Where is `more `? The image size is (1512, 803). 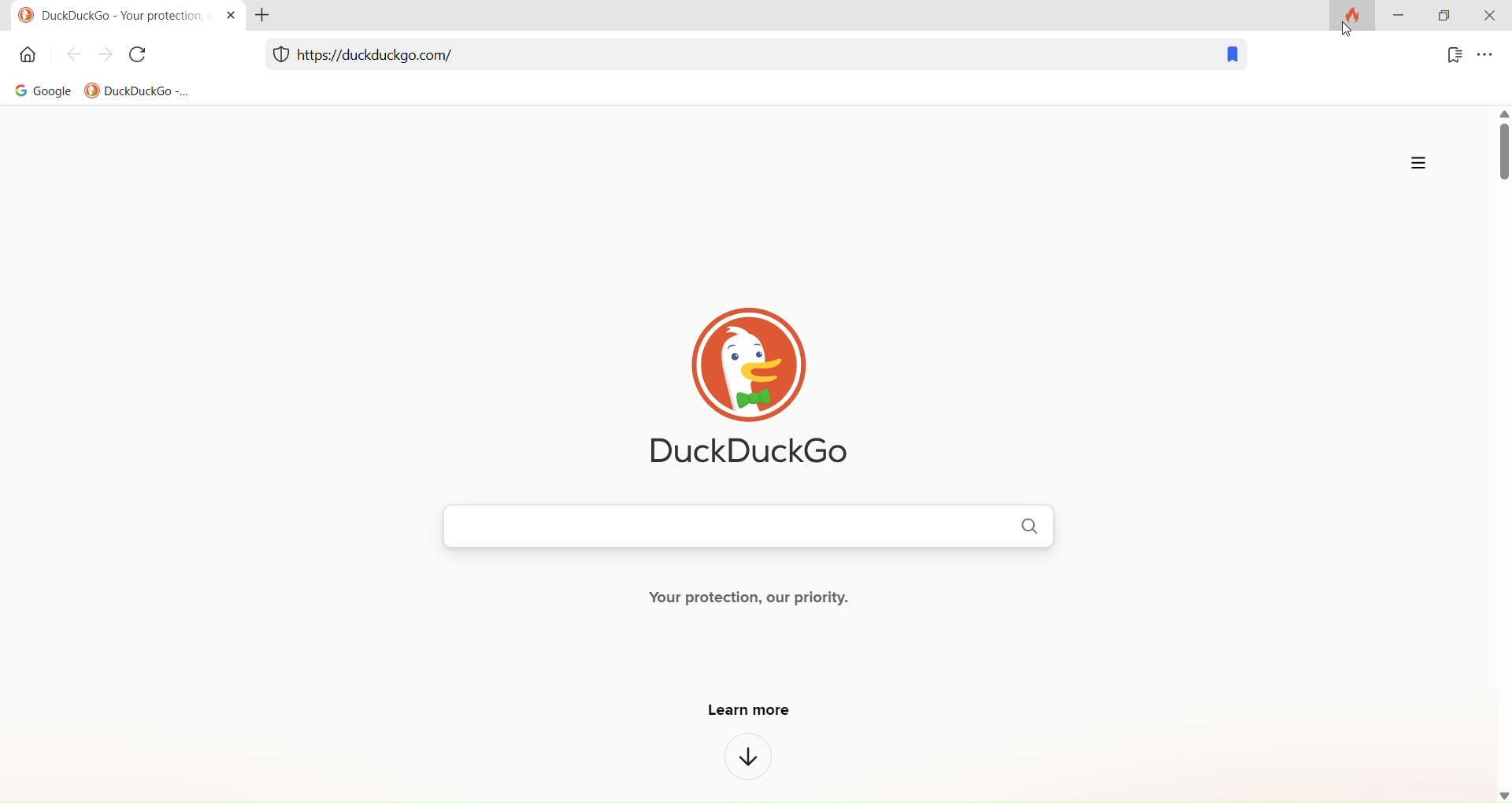
more  is located at coordinates (1415, 164).